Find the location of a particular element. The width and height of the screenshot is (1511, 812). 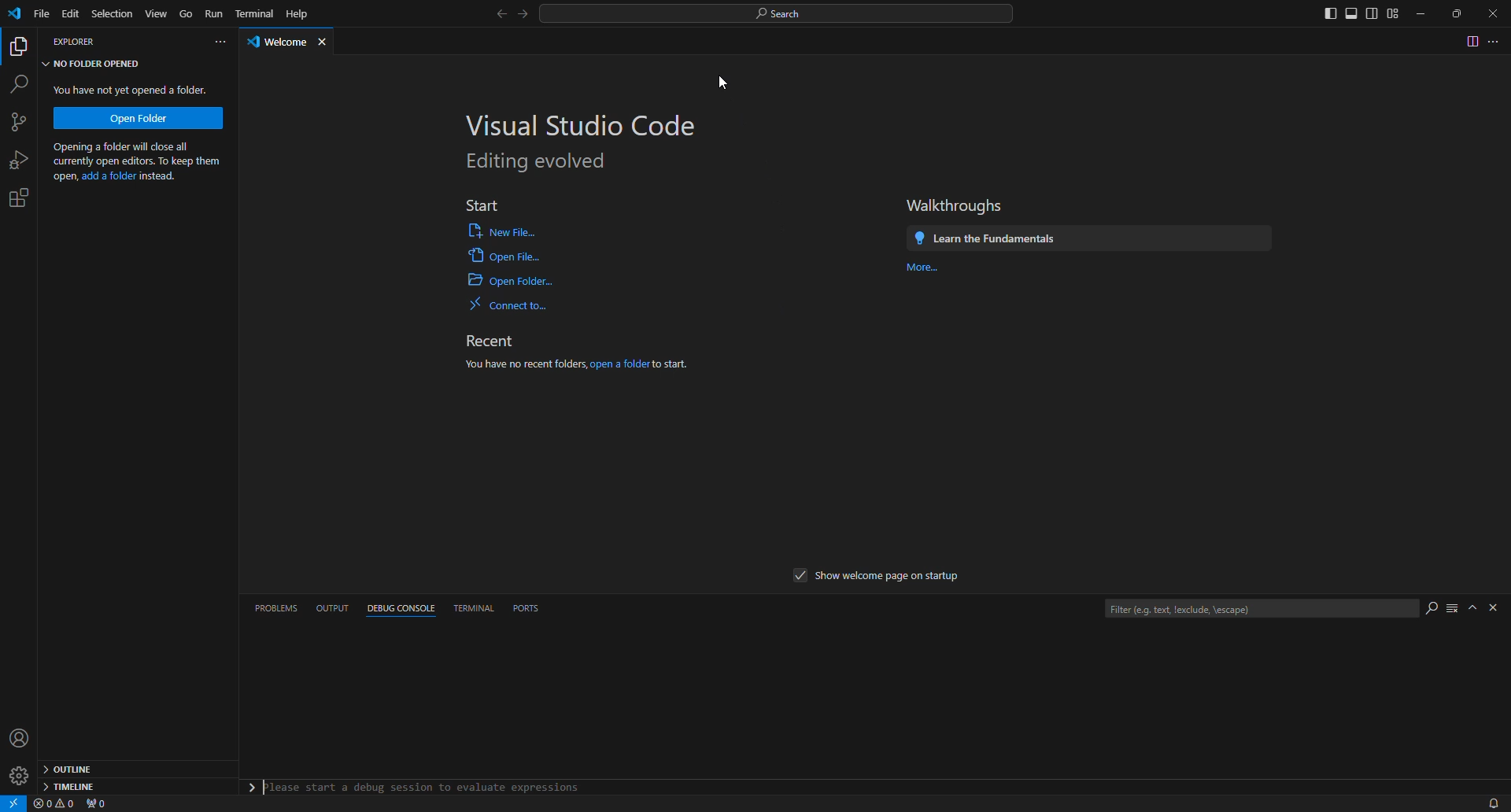

Move to sides is located at coordinates (1353, 14).